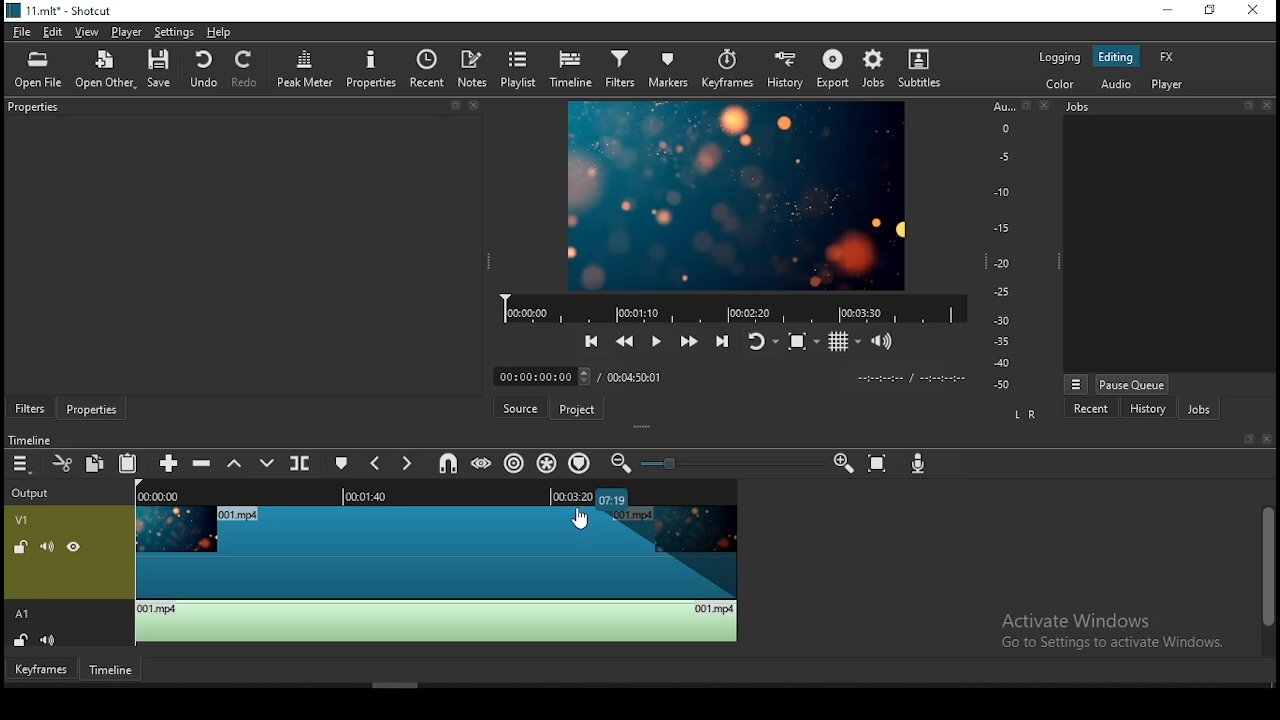 This screenshot has width=1280, height=720. I want to click on scroll bar, so click(1265, 576).